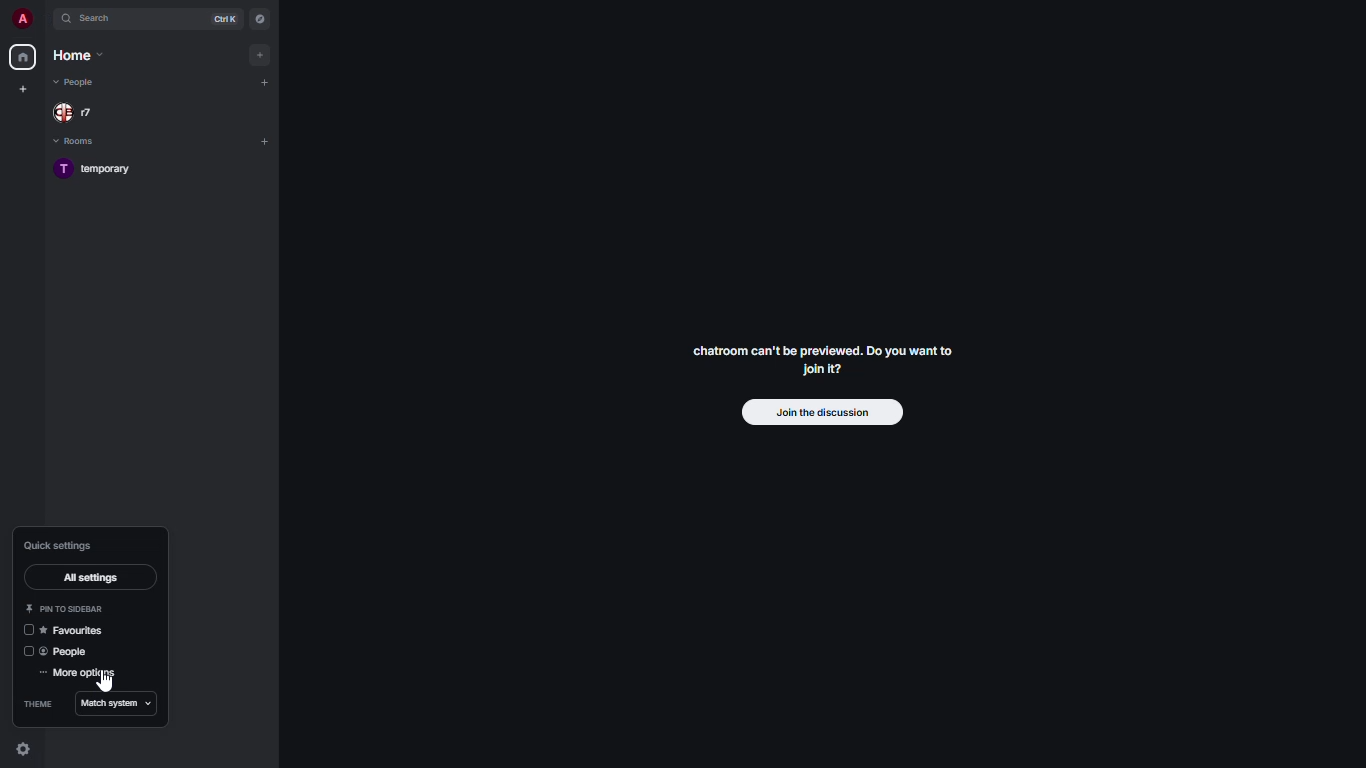 This screenshot has width=1366, height=768. Describe the element at coordinates (77, 83) in the screenshot. I see `people` at that location.